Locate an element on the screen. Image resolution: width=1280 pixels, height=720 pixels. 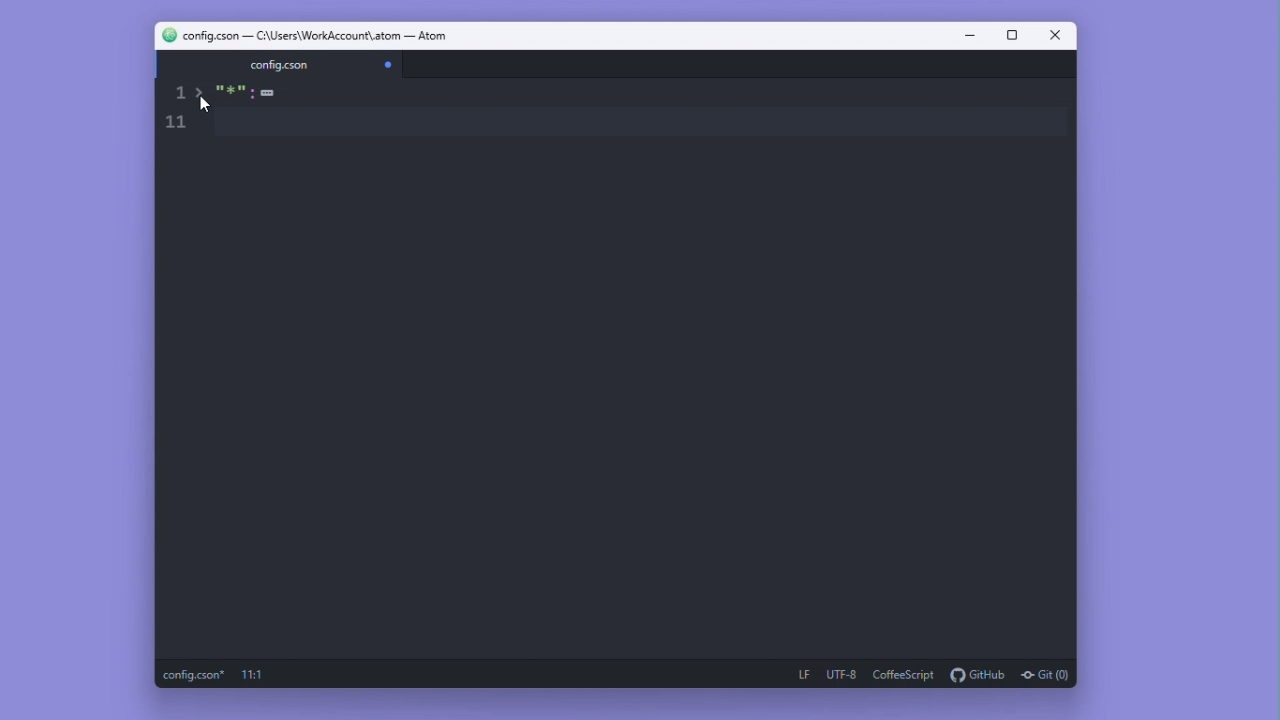
resize is located at coordinates (1012, 38).